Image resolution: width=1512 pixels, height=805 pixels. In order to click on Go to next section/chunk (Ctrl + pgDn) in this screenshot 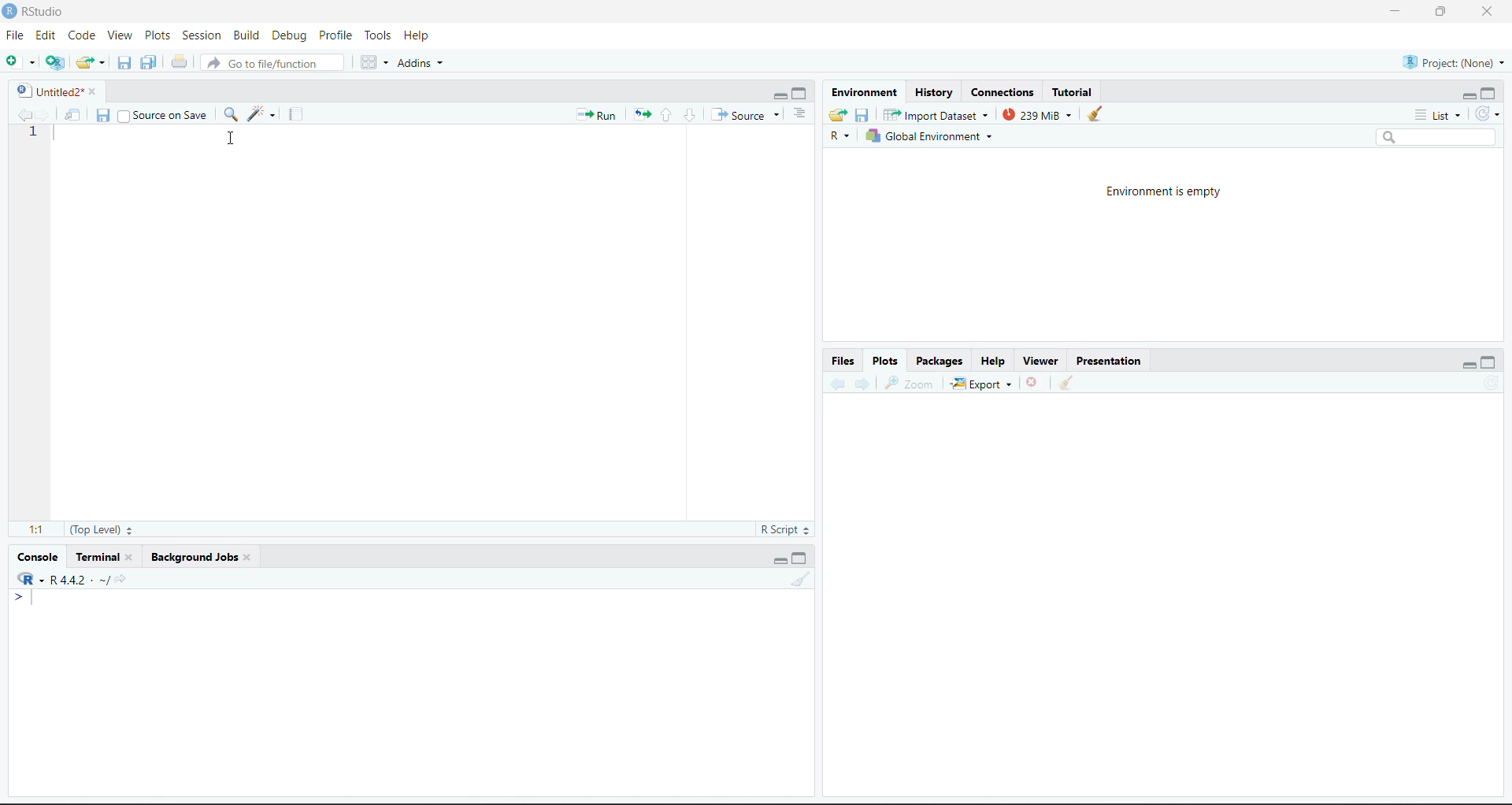, I will do `click(689, 115)`.